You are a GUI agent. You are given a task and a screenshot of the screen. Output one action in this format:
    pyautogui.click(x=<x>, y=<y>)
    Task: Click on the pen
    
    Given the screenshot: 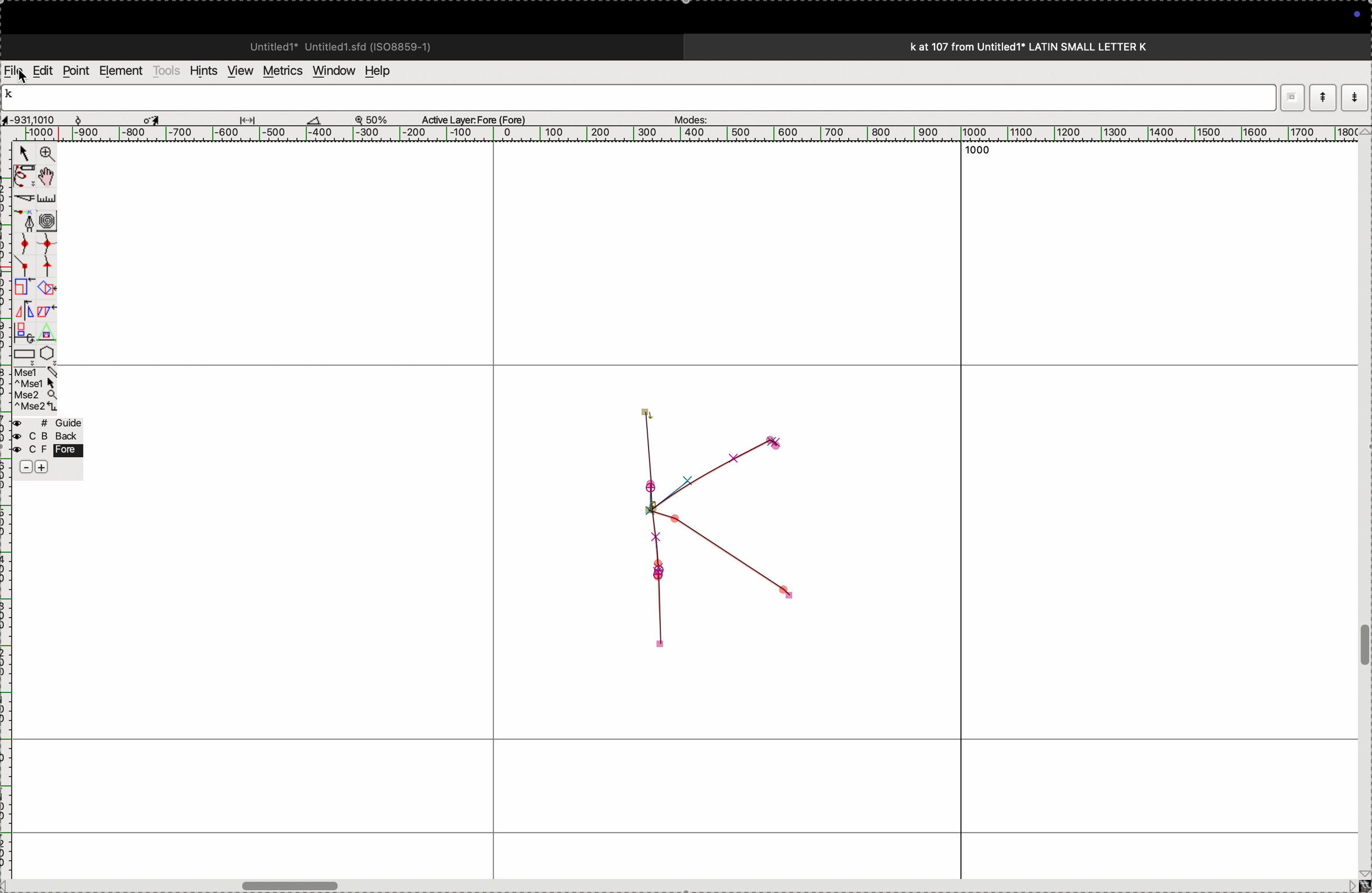 What is the action you would take?
    pyautogui.click(x=24, y=176)
    